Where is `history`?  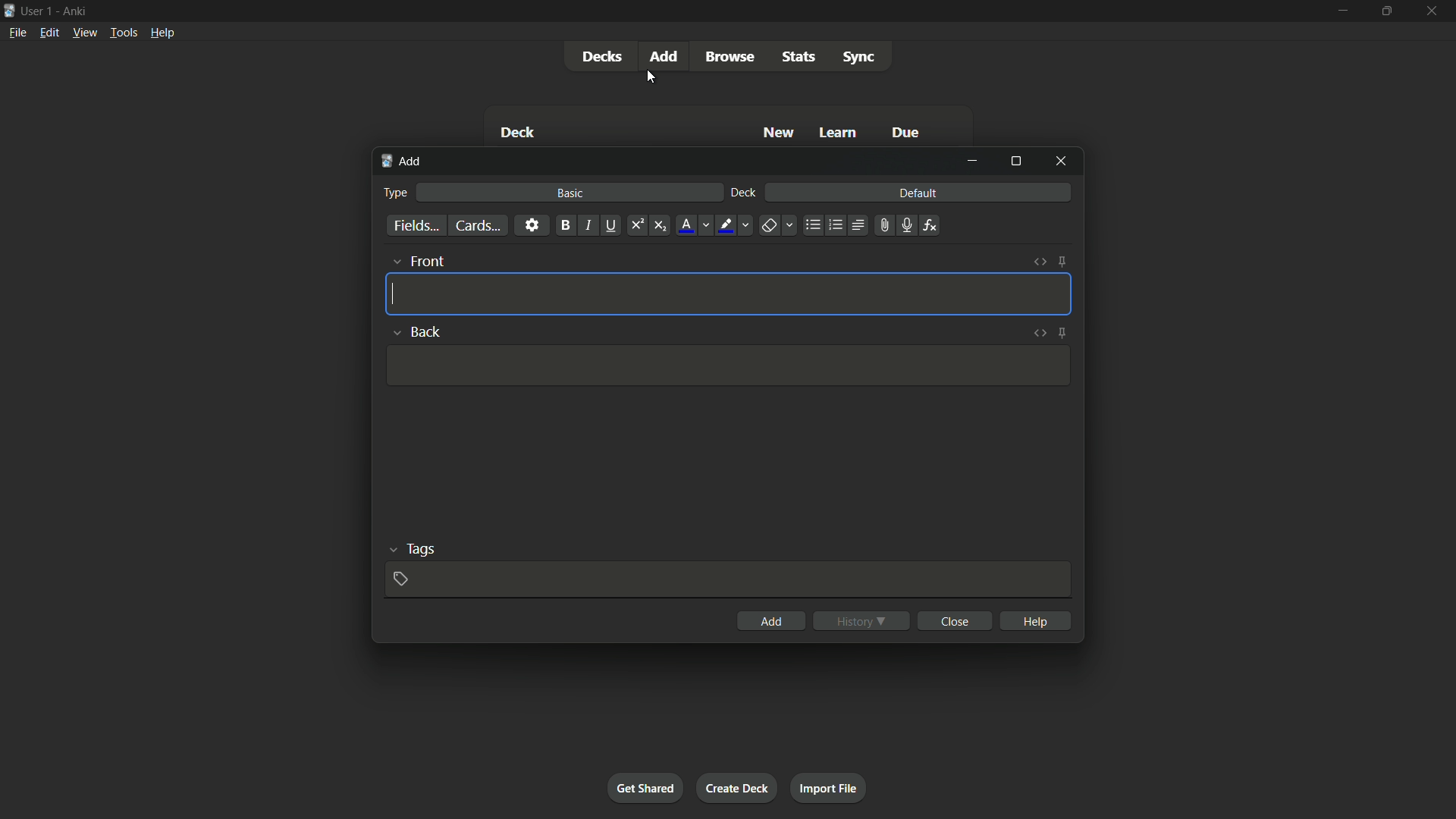 history is located at coordinates (861, 621).